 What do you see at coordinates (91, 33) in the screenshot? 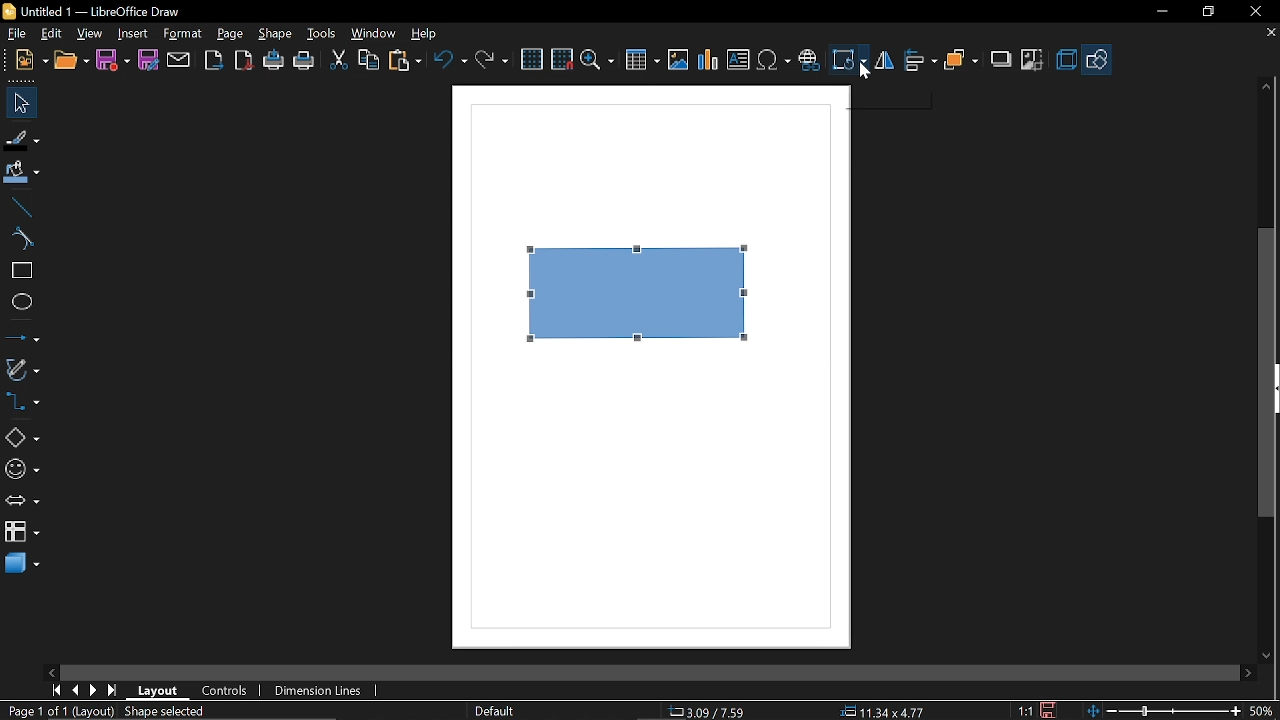
I see `View` at bounding box center [91, 33].